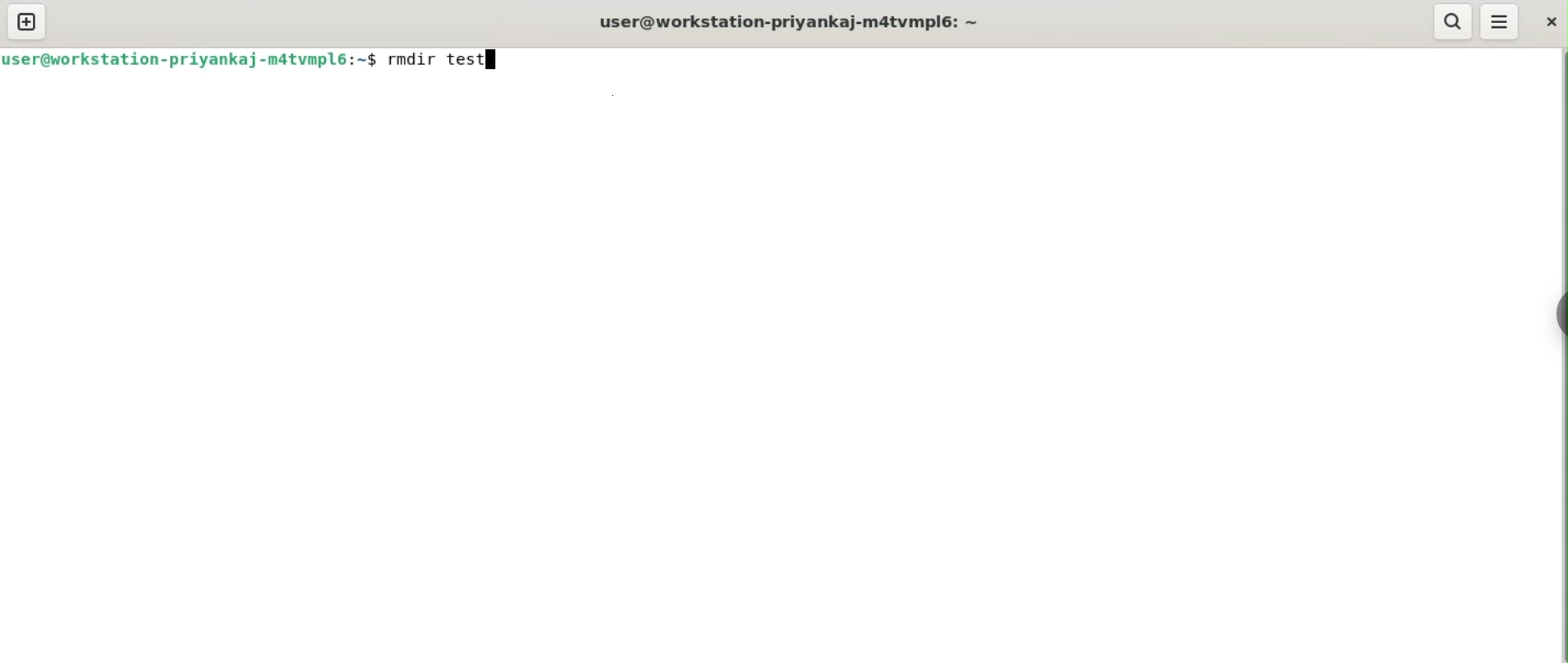 The height and width of the screenshot is (663, 1568). I want to click on search, so click(1452, 22).